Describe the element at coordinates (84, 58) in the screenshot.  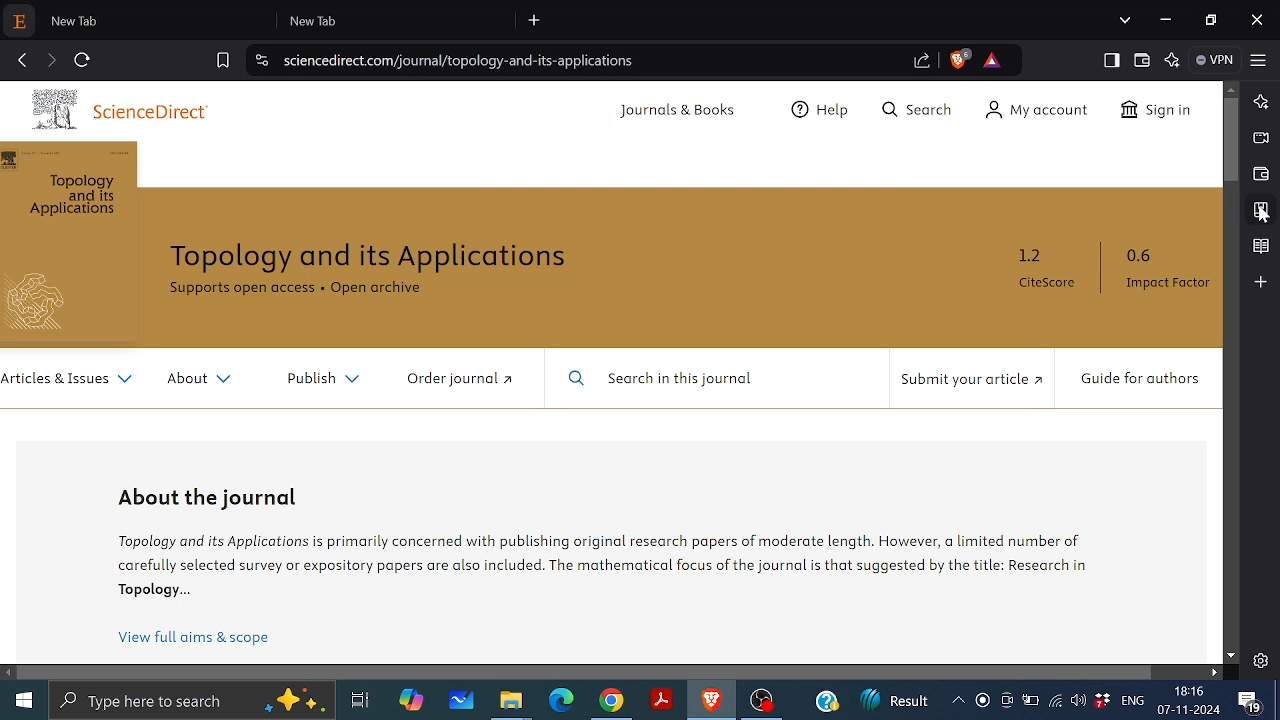
I see `Reload` at that location.